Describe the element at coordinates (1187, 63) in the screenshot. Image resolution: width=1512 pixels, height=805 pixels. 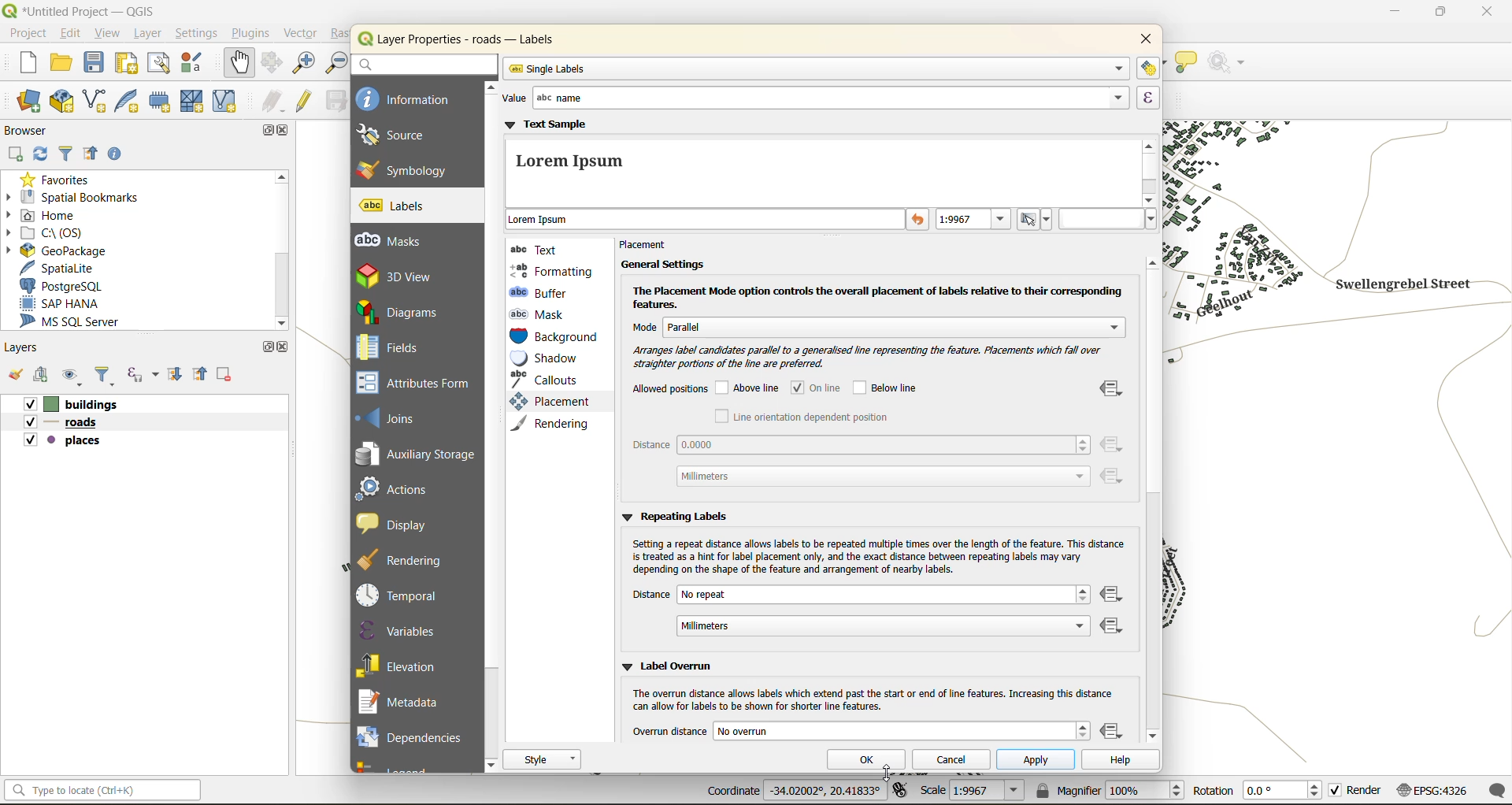
I see `show tips` at that location.